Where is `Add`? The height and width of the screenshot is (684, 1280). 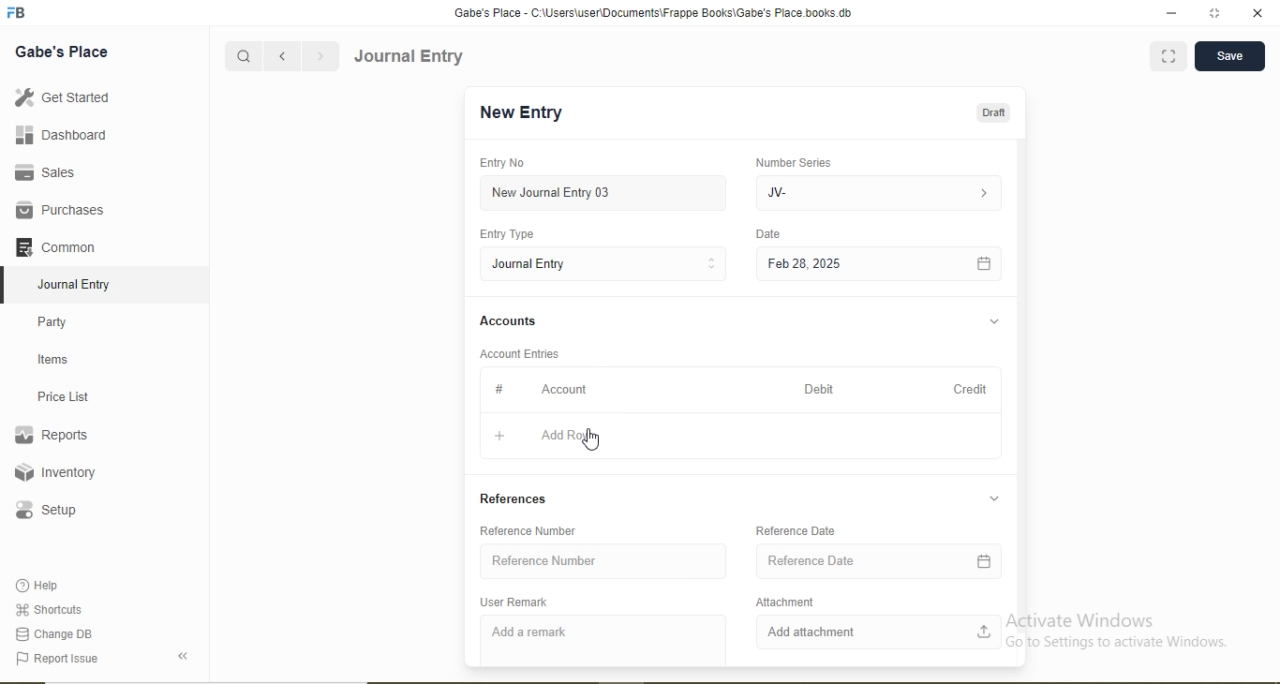
Add is located at coordinates (500, 436).